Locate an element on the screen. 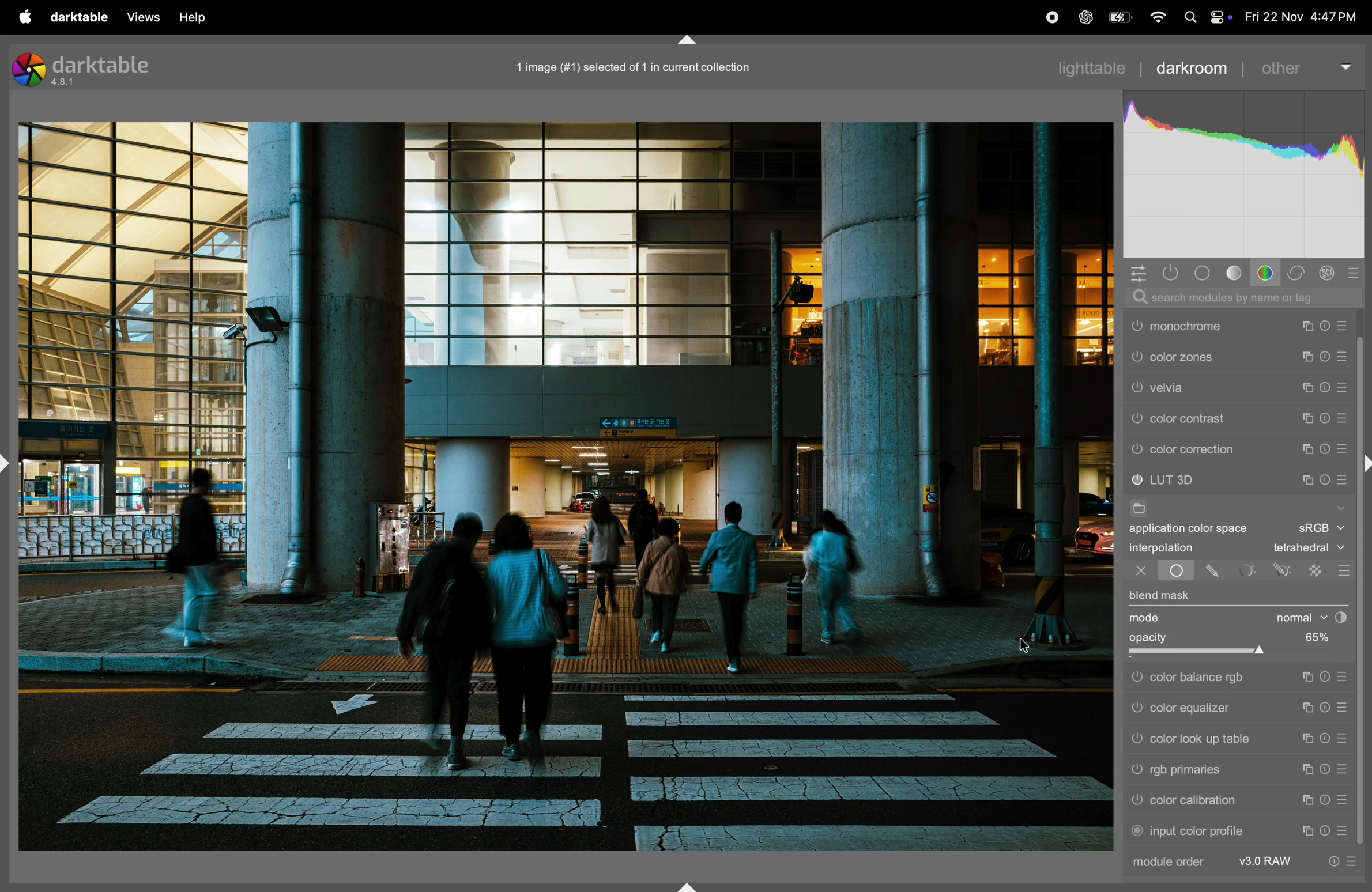  show is located at coordinates (1341, 507).